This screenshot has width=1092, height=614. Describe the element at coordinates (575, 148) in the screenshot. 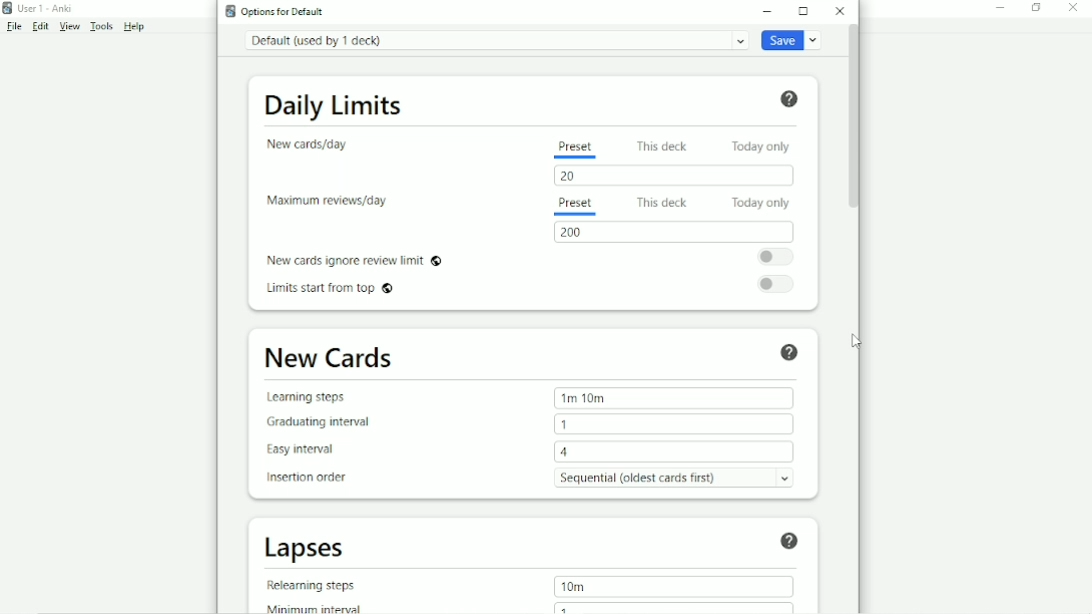

I see `Preset` at that location.